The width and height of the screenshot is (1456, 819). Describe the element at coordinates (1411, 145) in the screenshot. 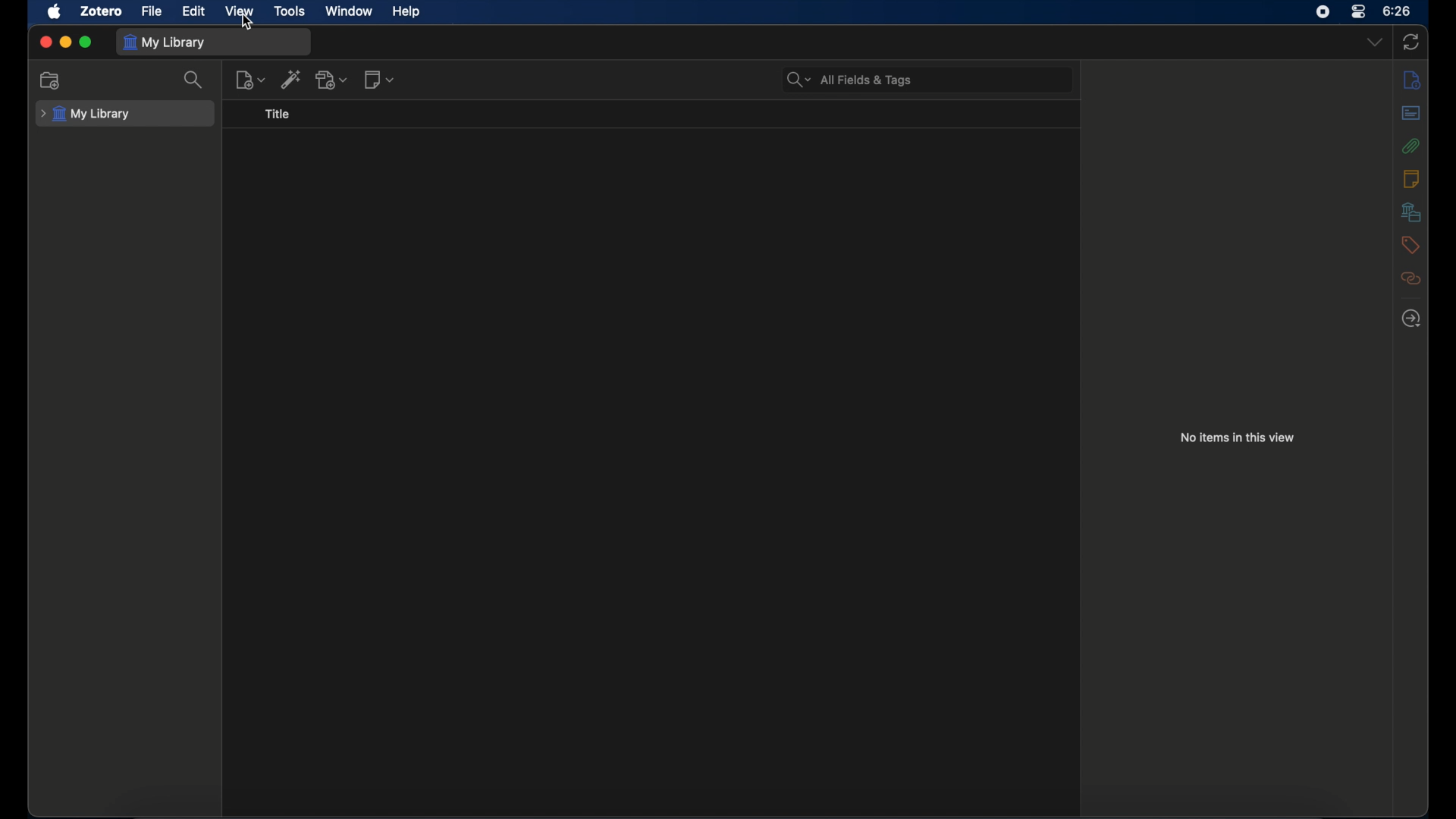

I see `attachments` at that location.